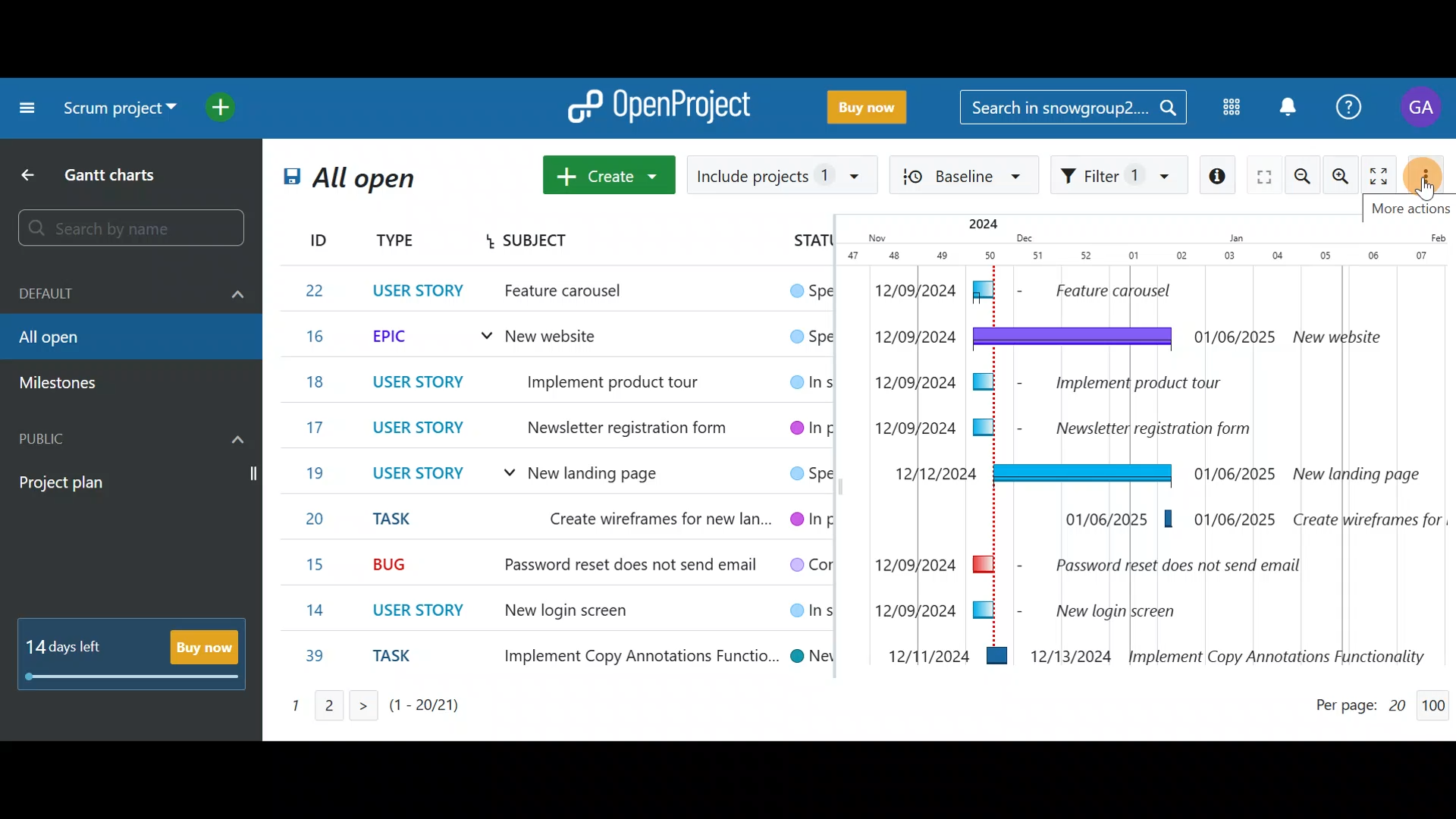 The image size is (1456, 819). I want to click on 18, so click(314, 383).